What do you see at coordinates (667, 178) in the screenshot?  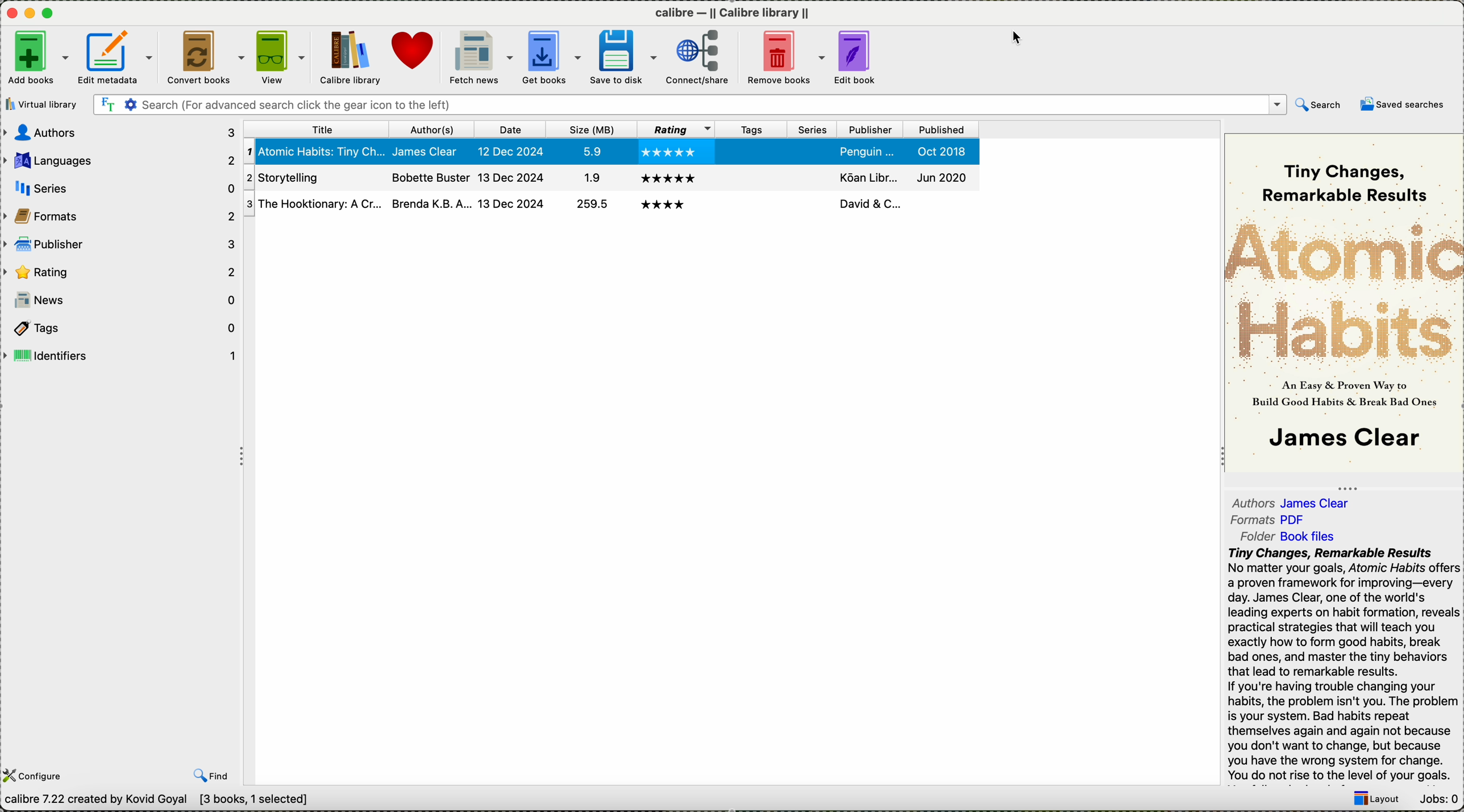 I see `5 star` at bounding box center [667, 178].